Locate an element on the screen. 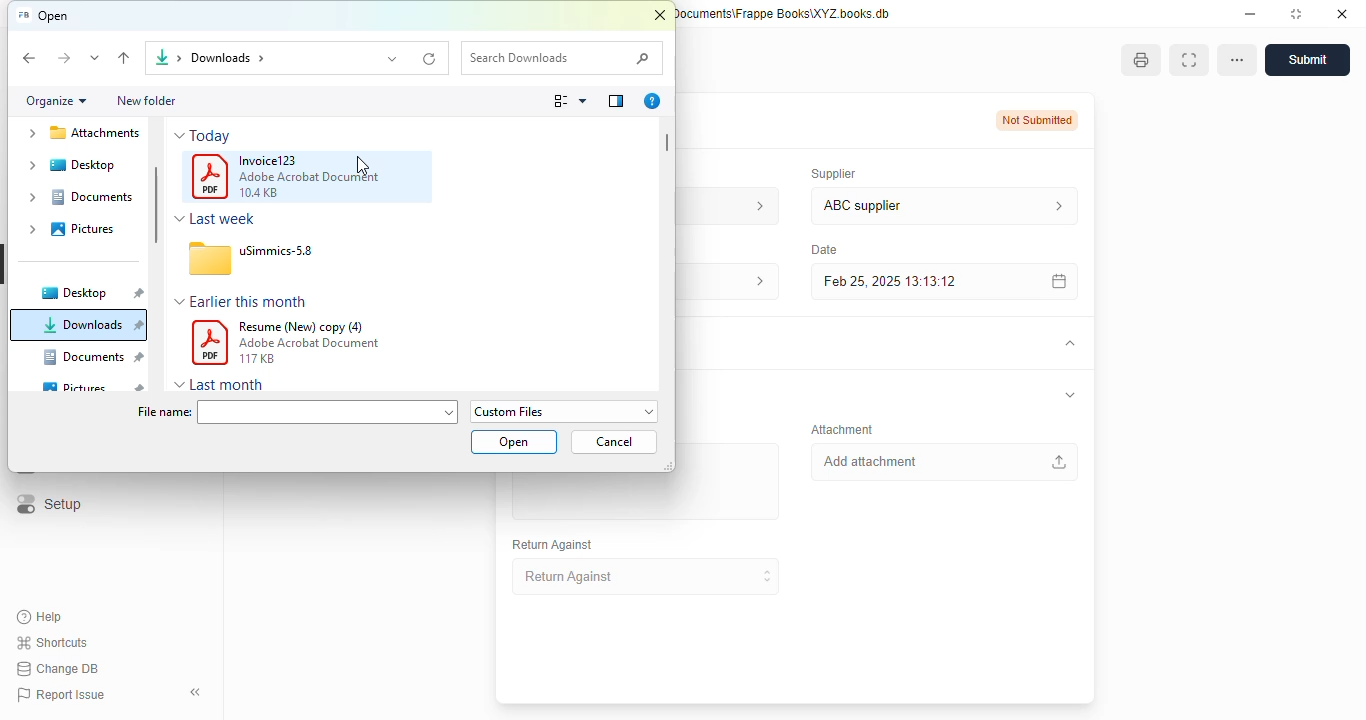 Image resolution: width=1366 pixels, height=720 pixels. close is located at coordinates (660, 16).